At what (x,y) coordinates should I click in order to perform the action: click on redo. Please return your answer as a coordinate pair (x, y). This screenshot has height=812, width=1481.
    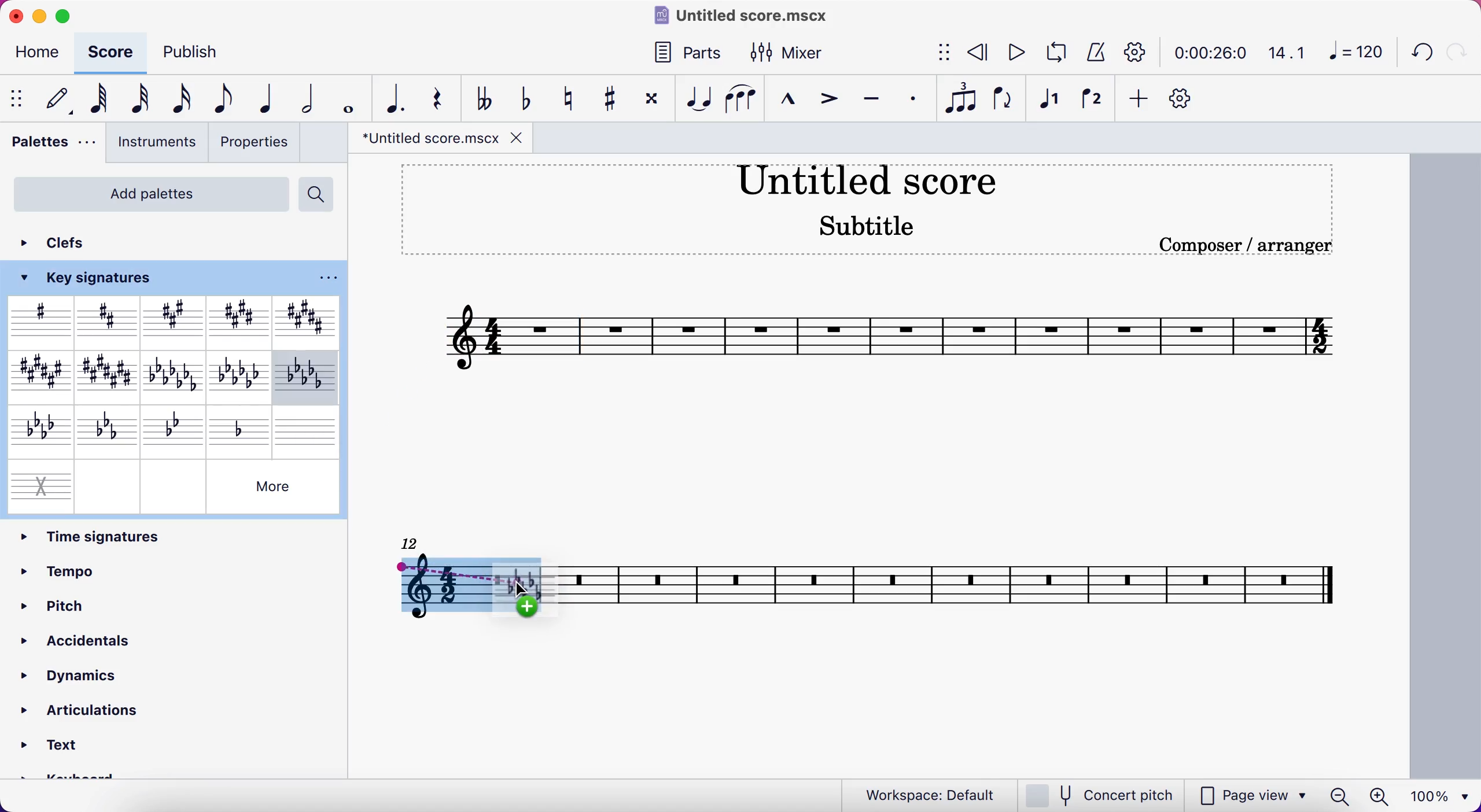
    Looking at the image, I should click on (1457, 53).